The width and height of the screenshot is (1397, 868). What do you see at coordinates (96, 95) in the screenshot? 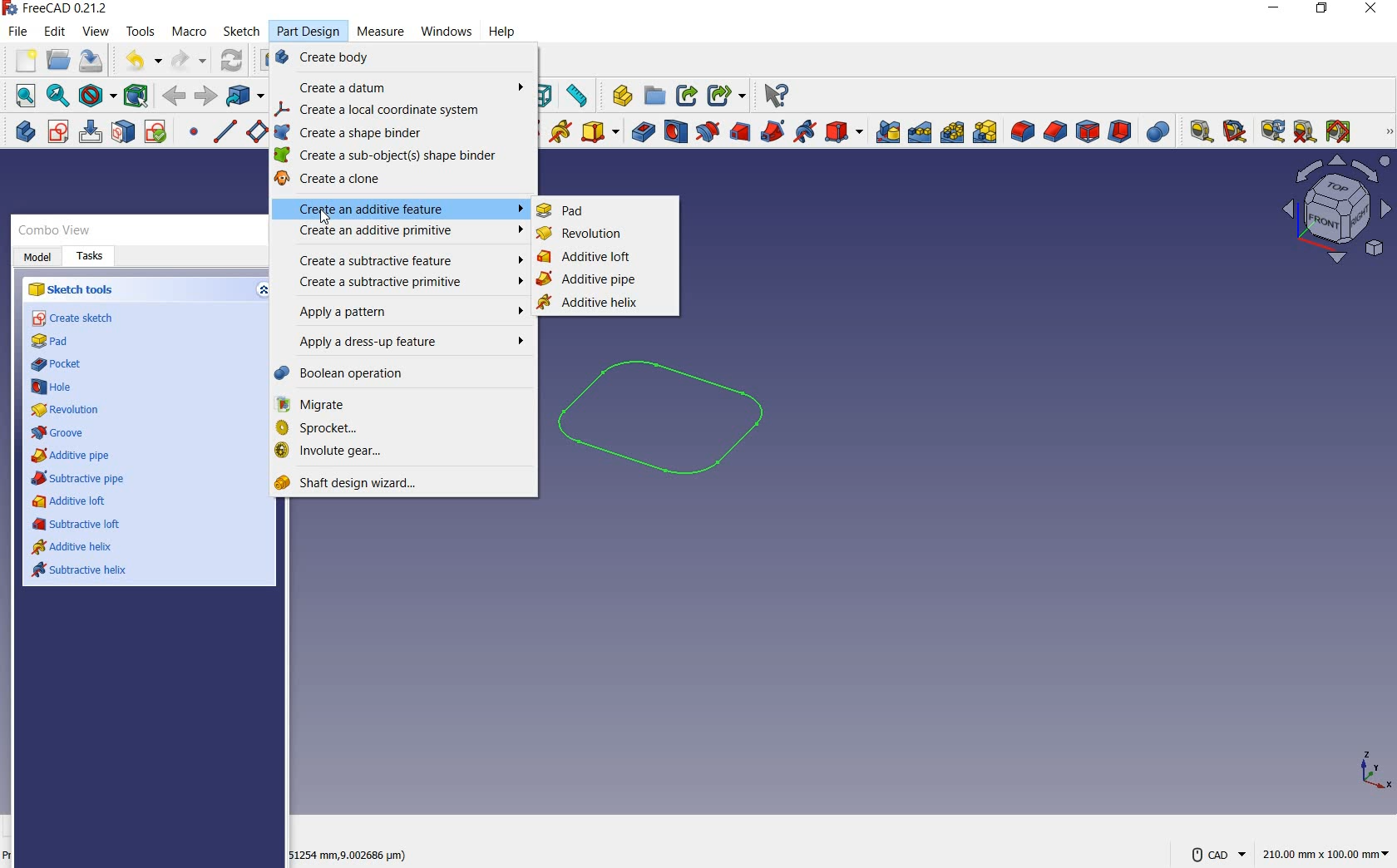
I see `draw style` at bounding box center [96, 95].